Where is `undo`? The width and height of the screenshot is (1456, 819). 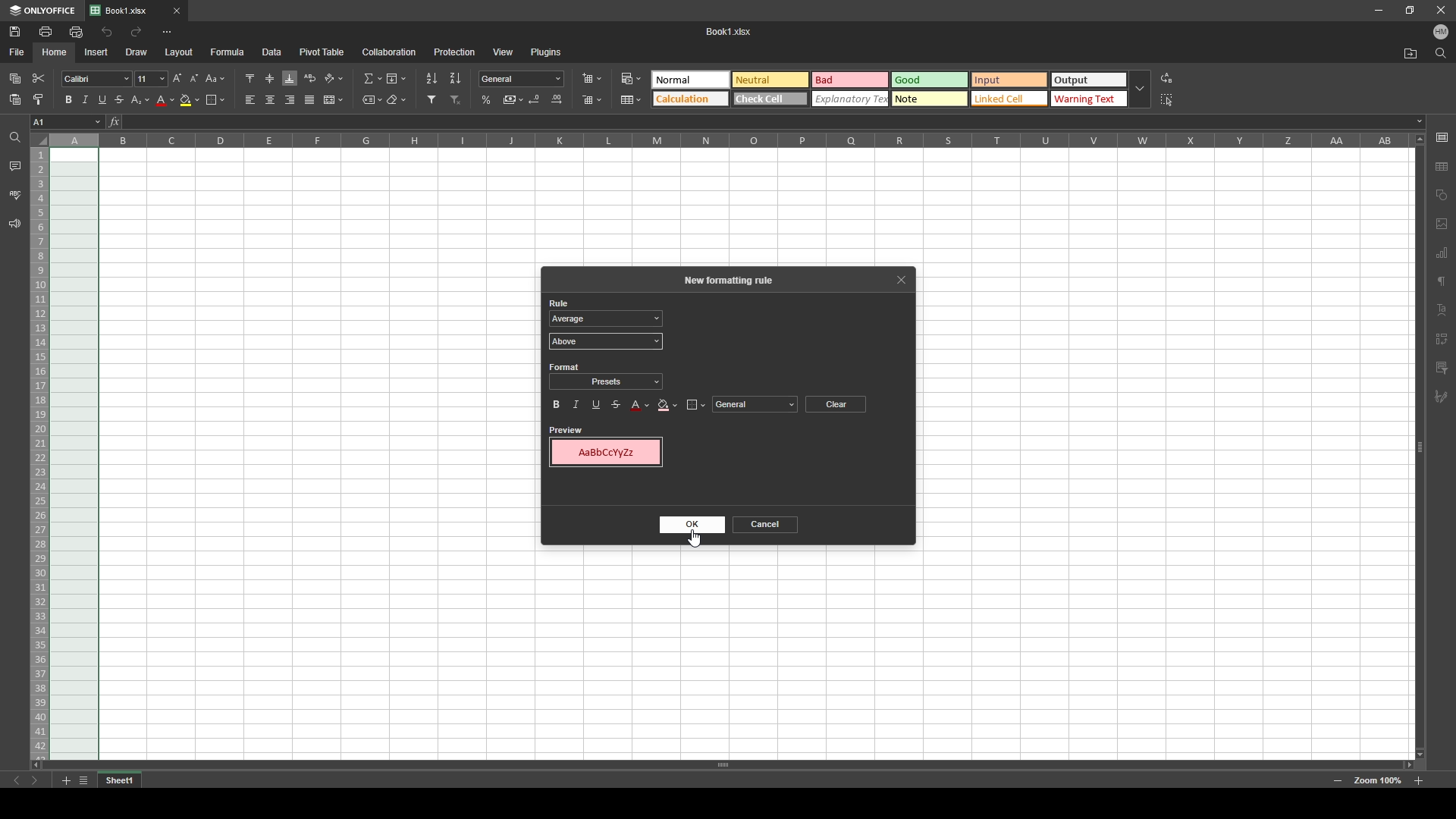
undo is located at coordinates (107, 33).